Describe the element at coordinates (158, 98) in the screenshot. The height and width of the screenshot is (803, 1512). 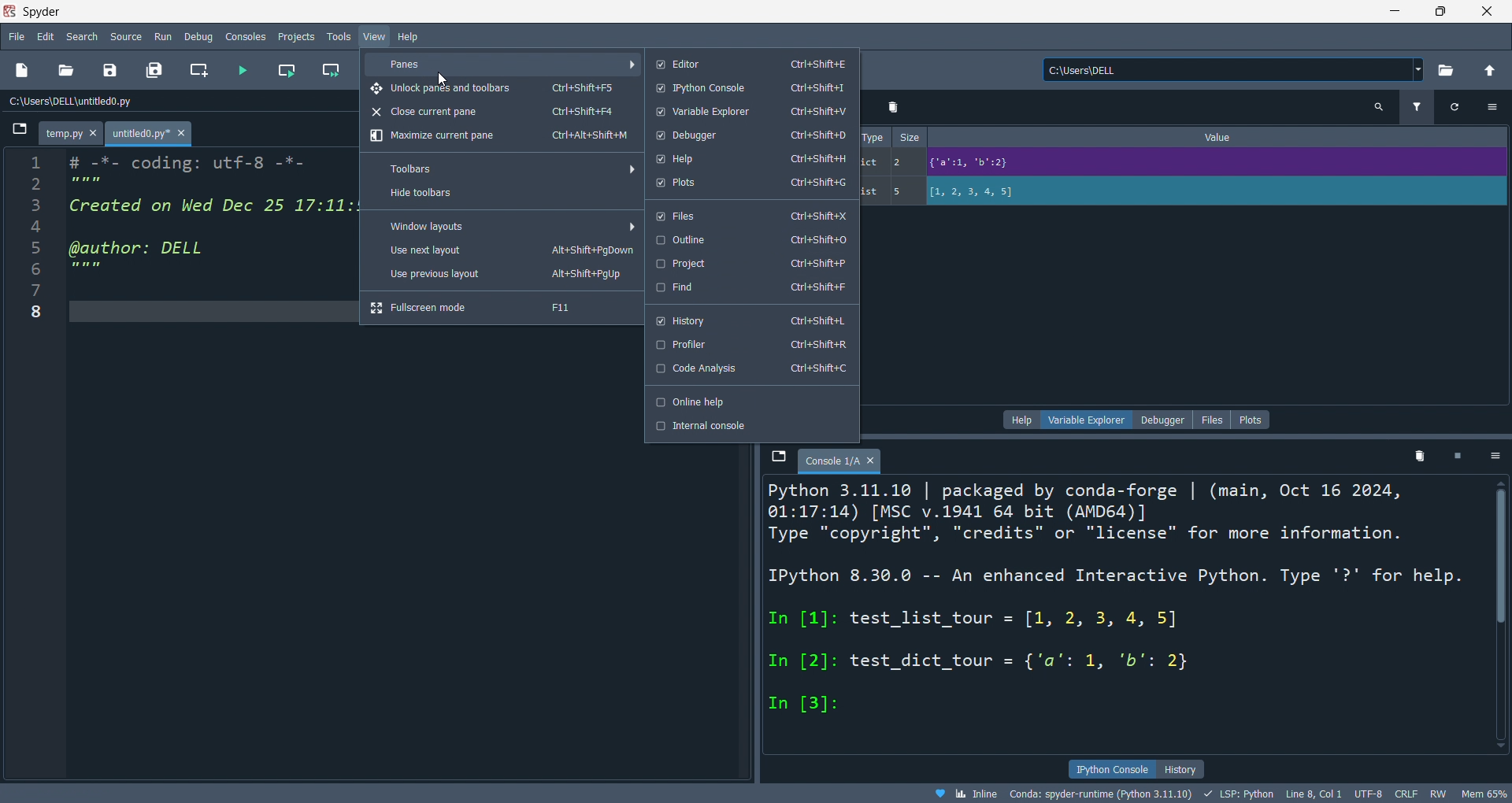
I see `C:\Users\DELL\untitled0.py` at that location.